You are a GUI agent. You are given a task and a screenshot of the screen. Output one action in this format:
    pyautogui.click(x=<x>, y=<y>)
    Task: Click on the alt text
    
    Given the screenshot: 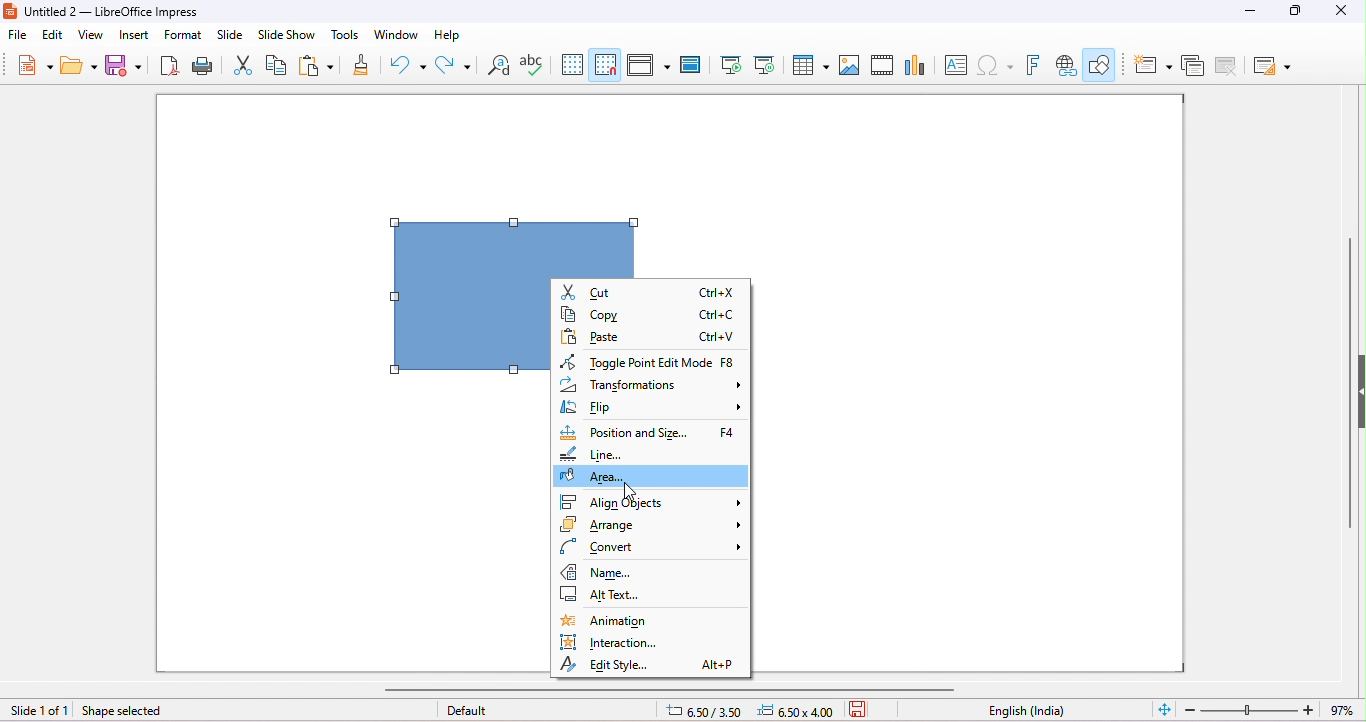 What is the action you would take?
    pyautogui.click(x=618, y=595)
    